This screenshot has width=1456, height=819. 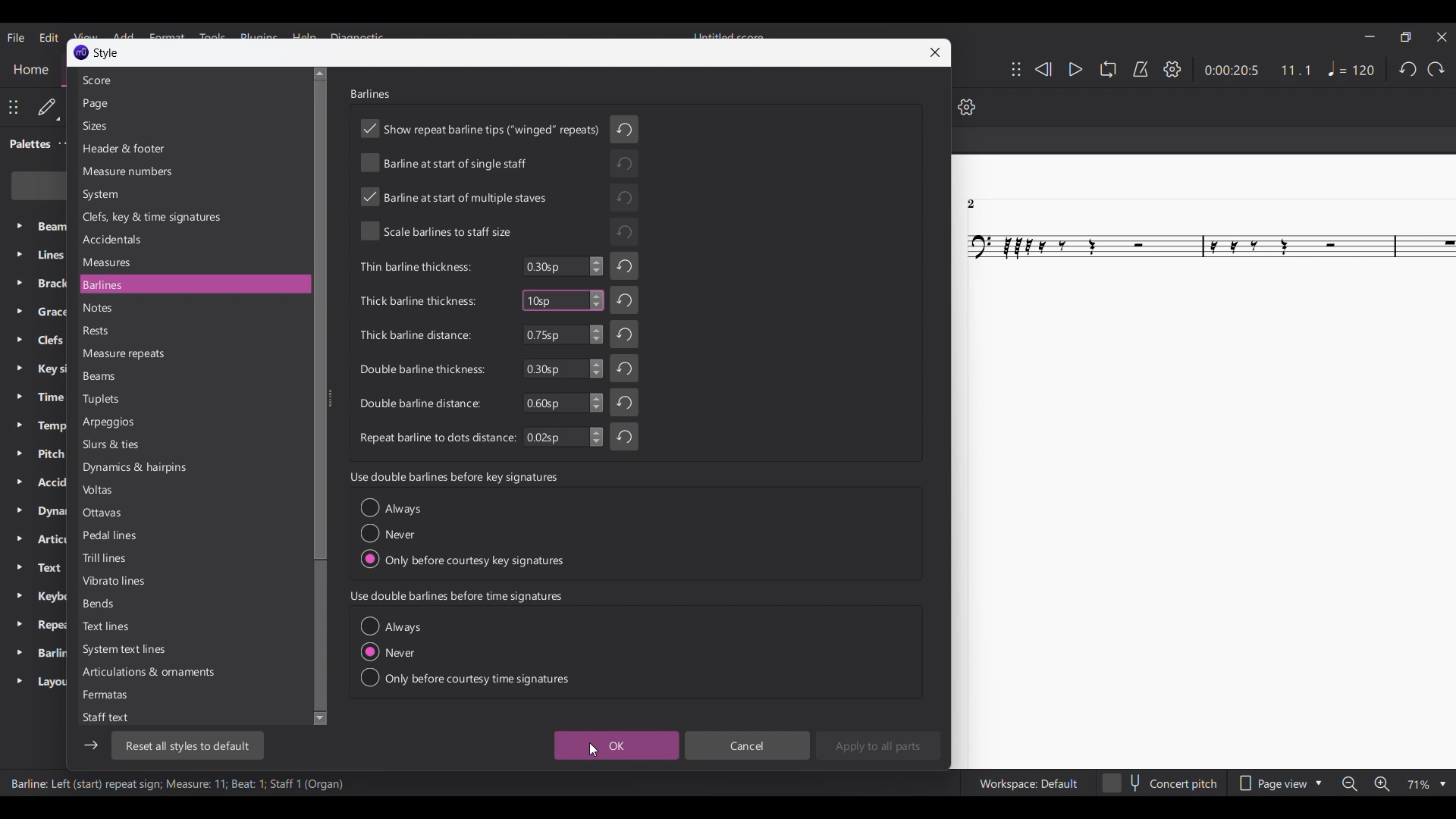 What do you see at coordinates (1370, 36) in the screenshot?
I see `Minimize` at bounding box center [1370, 36].